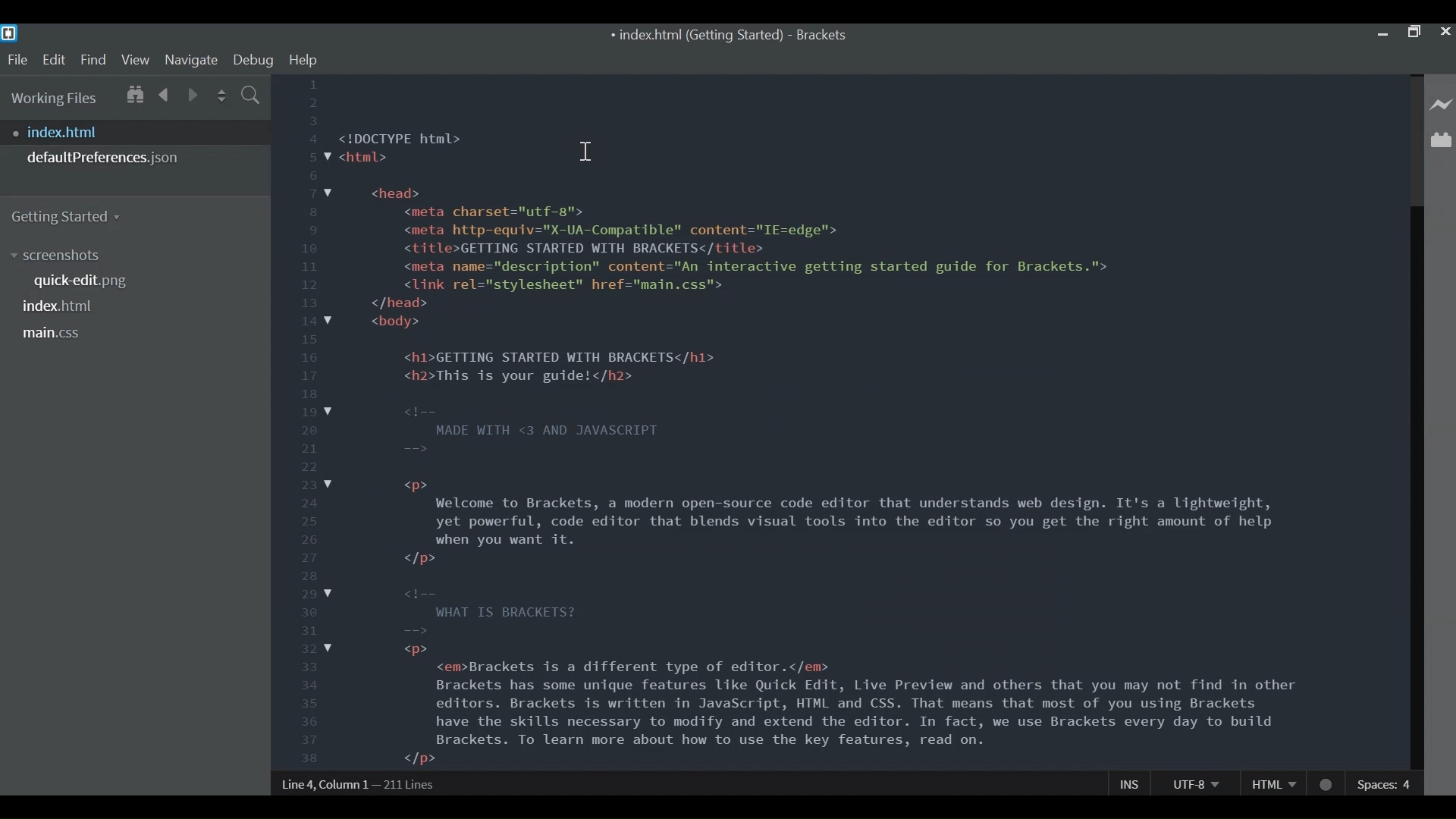 The height and width of the screenshot is (819, 1456). Describe the element at coordinates (1441, 140) in the screenshot. I see `Manage Extensions` at that location.